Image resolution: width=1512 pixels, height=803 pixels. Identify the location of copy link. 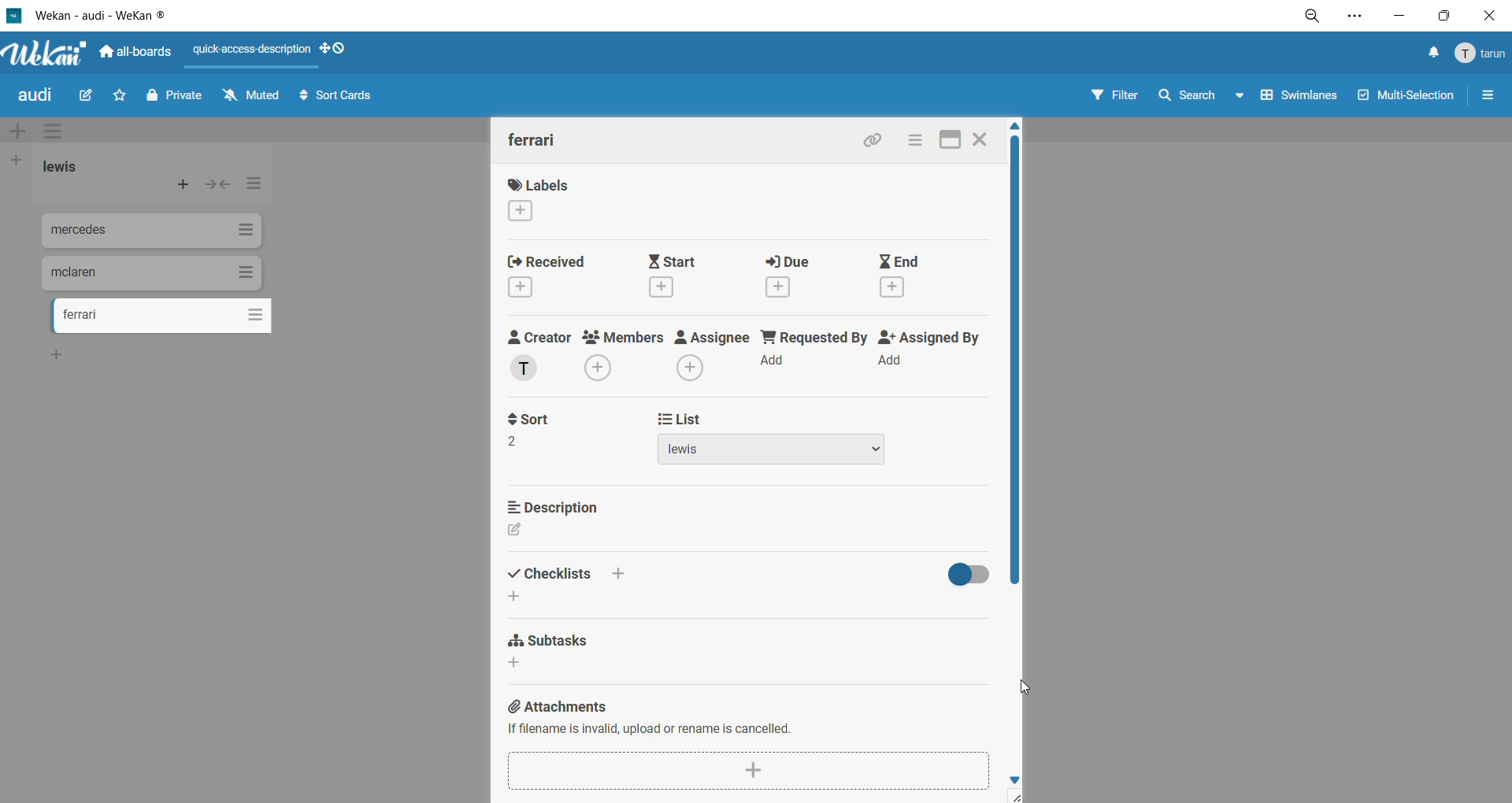
(876, 142).